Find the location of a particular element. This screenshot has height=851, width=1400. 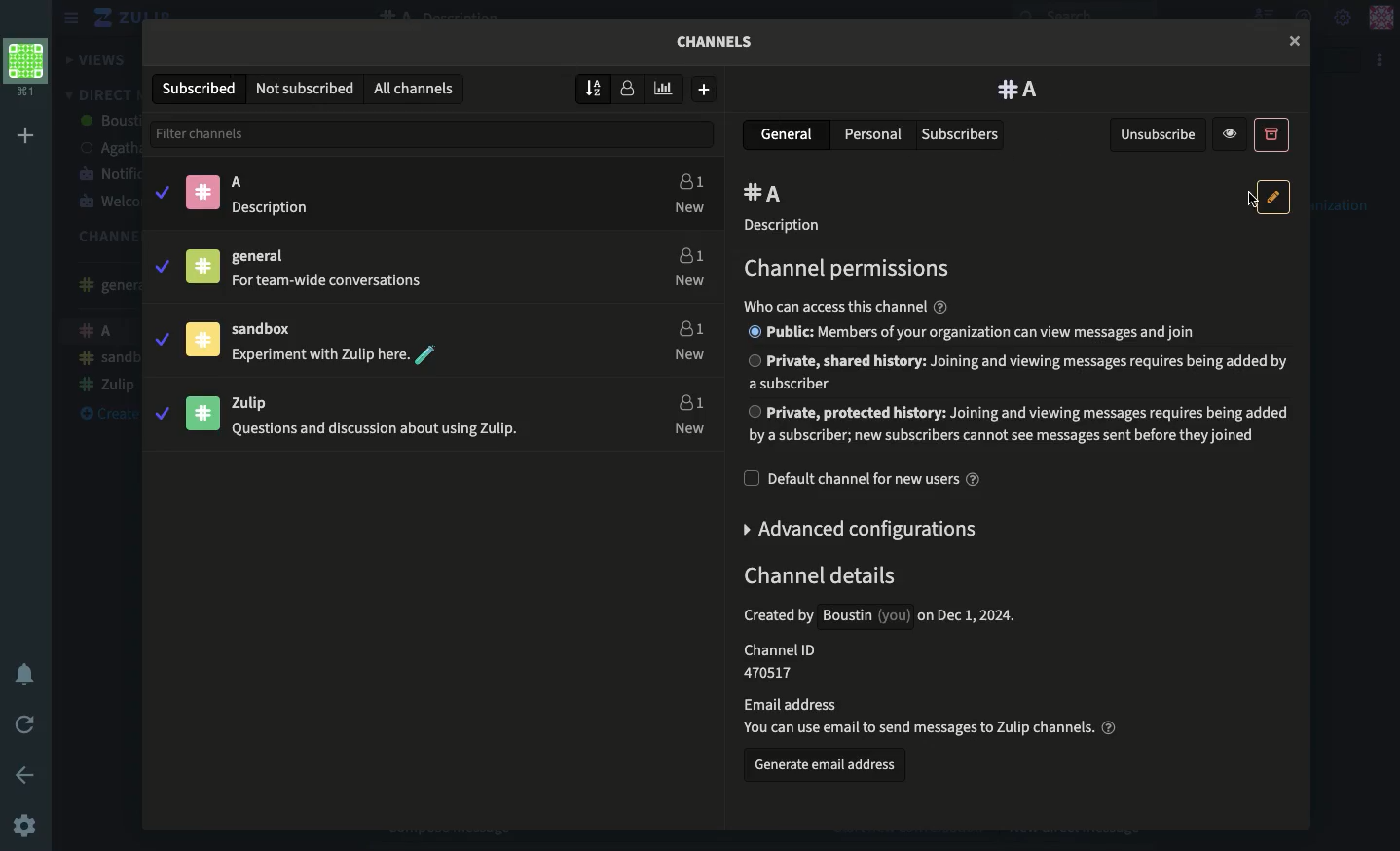

agatha is located at coordinates (106, 148).